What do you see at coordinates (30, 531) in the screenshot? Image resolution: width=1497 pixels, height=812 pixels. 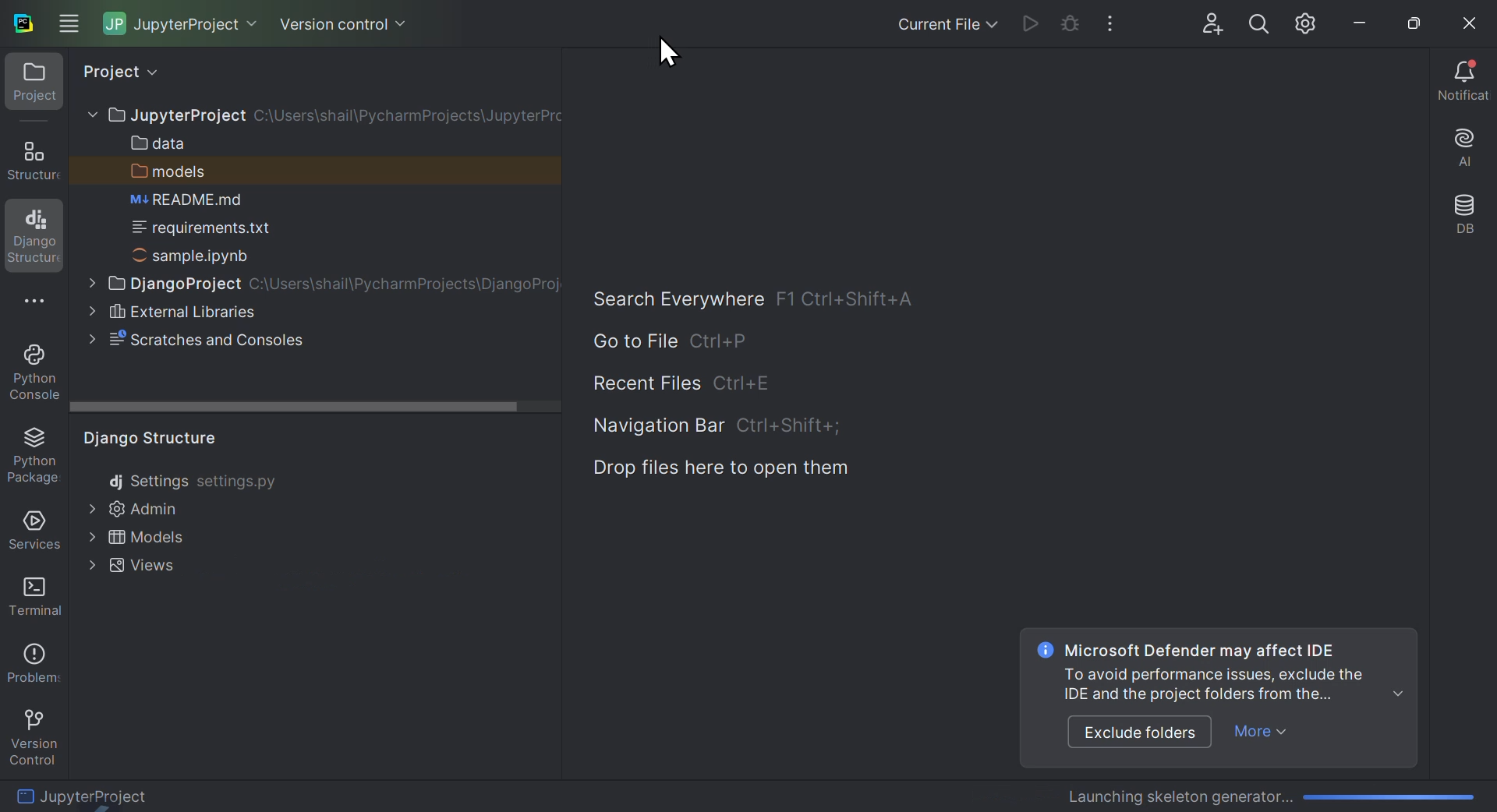 I see `Services` at bounding box center [30, 531].